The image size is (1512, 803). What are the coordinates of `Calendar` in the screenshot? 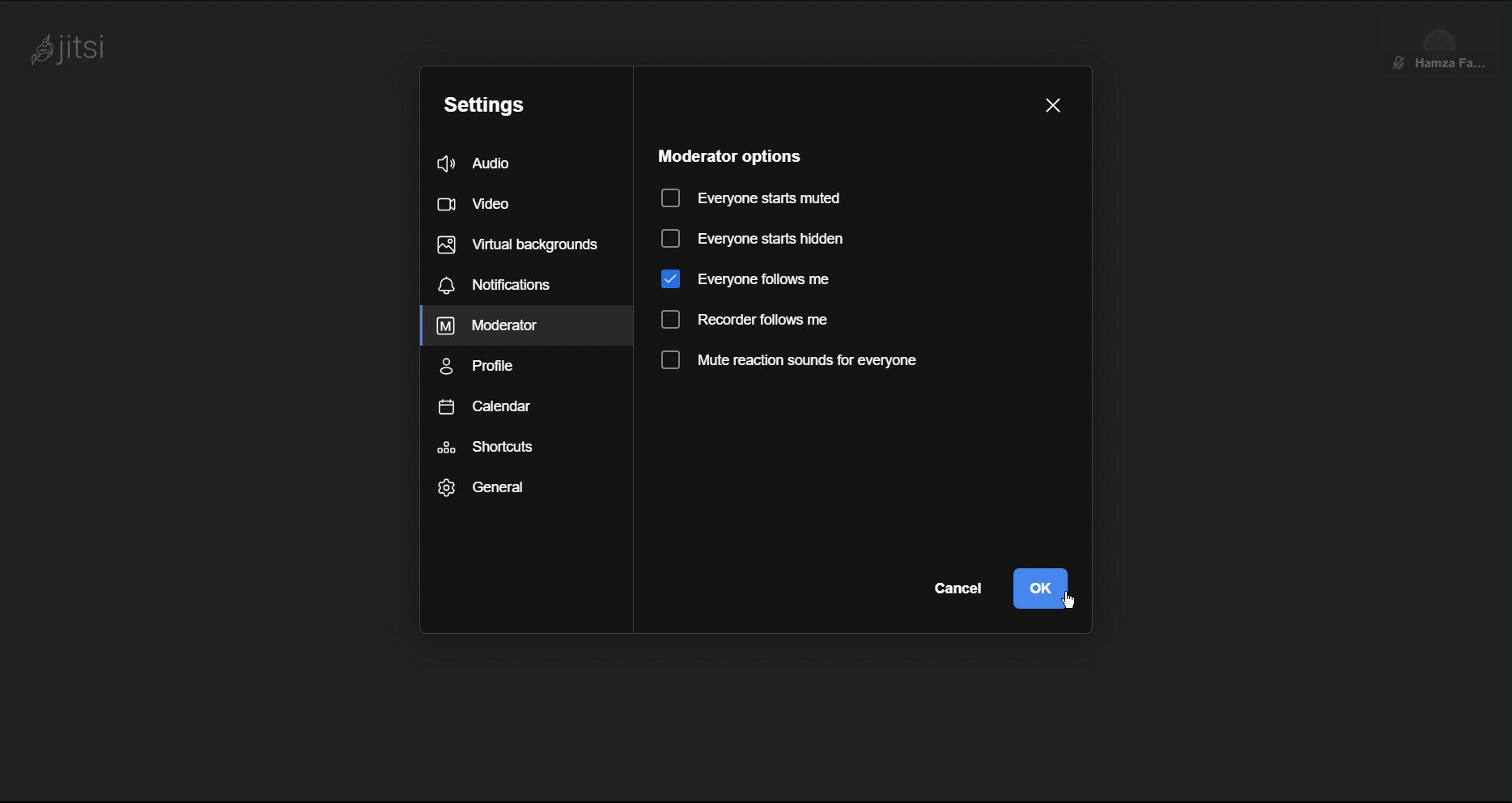 It's located at (485, 407).